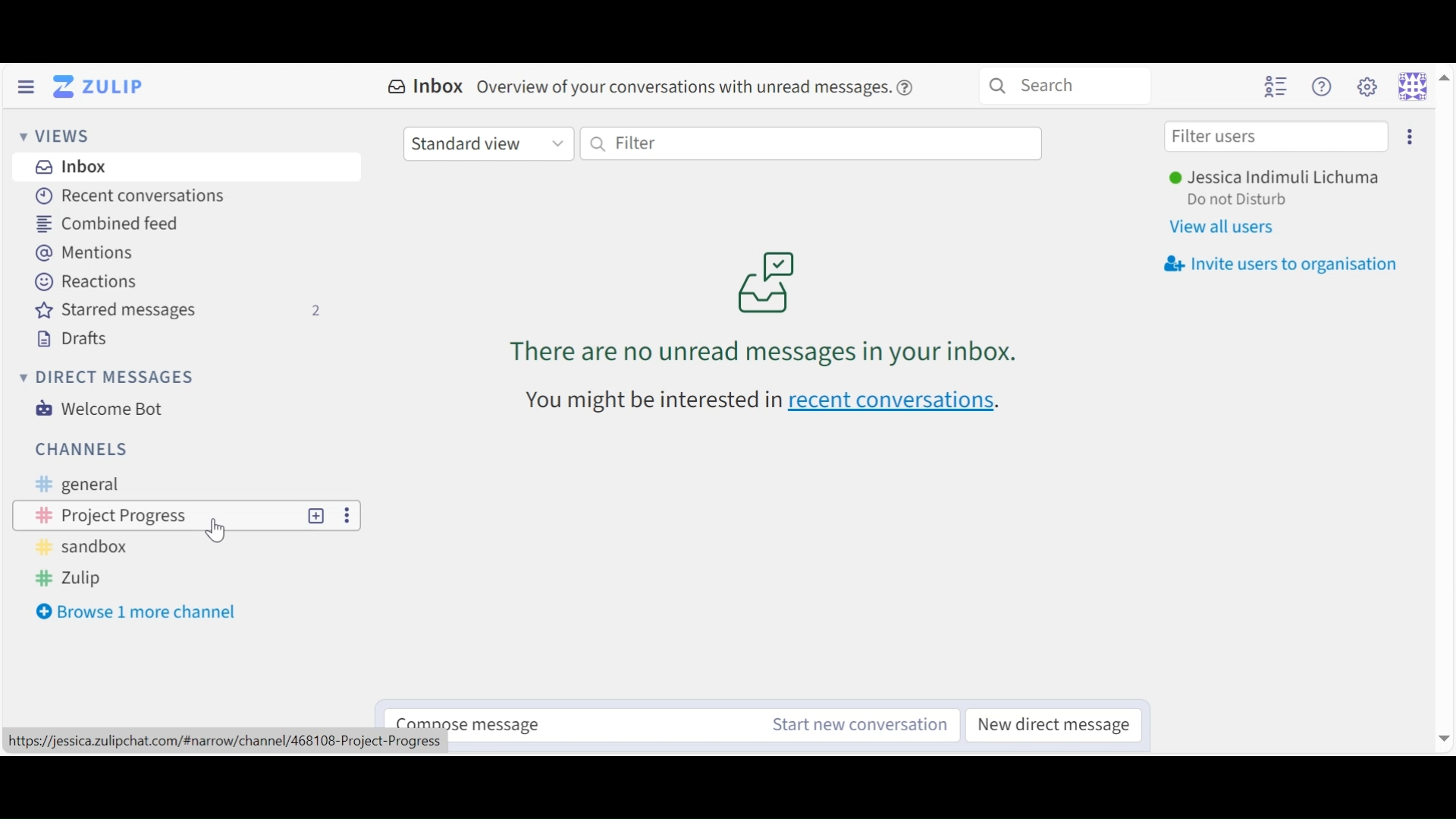  I want to click on overview, so click(714, 88).